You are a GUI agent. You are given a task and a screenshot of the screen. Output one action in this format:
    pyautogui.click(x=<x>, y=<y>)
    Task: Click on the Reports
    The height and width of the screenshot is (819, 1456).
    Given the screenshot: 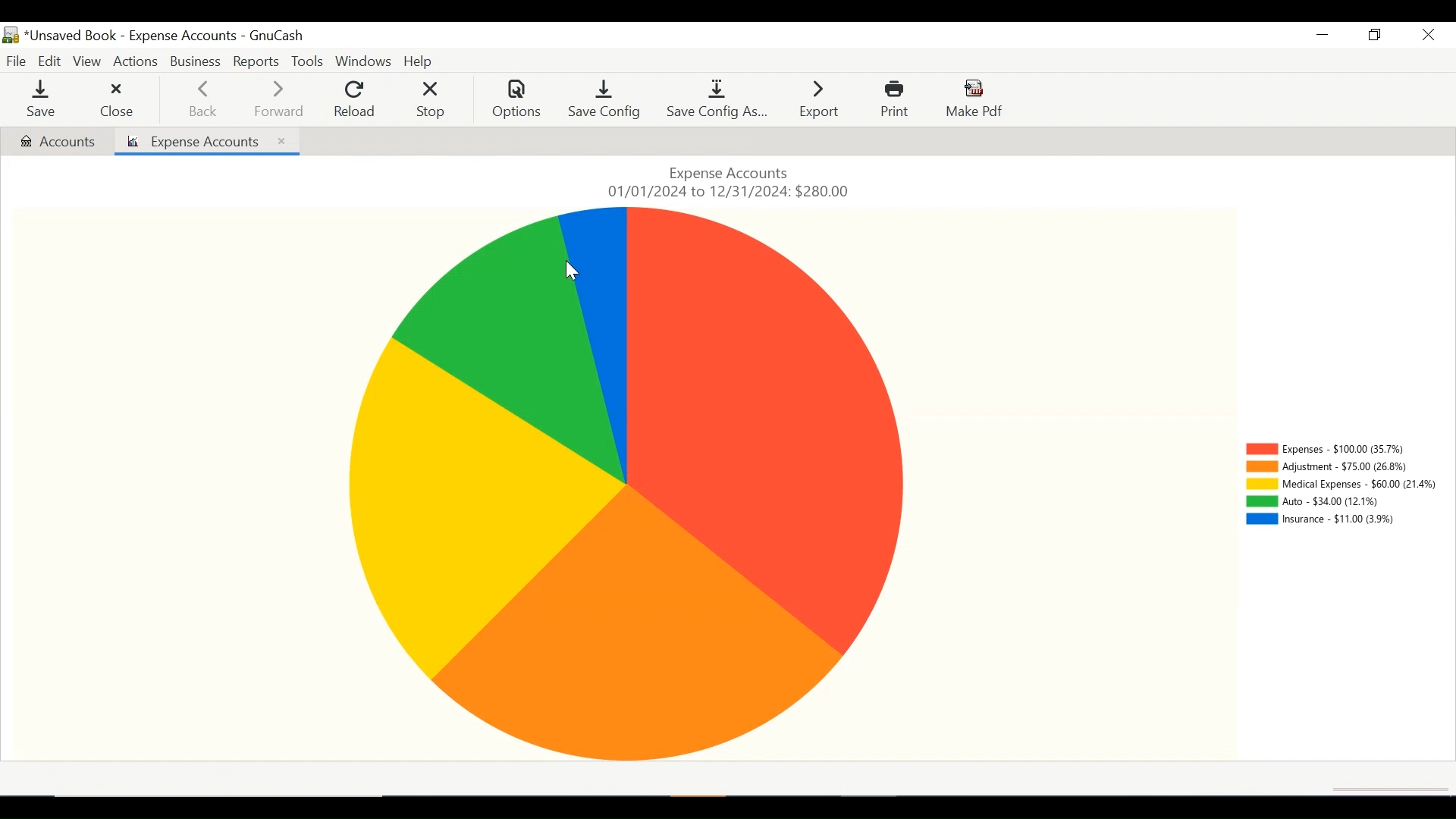 What is the action you would take?
    pyautogui.click(x=254, y=60)
    